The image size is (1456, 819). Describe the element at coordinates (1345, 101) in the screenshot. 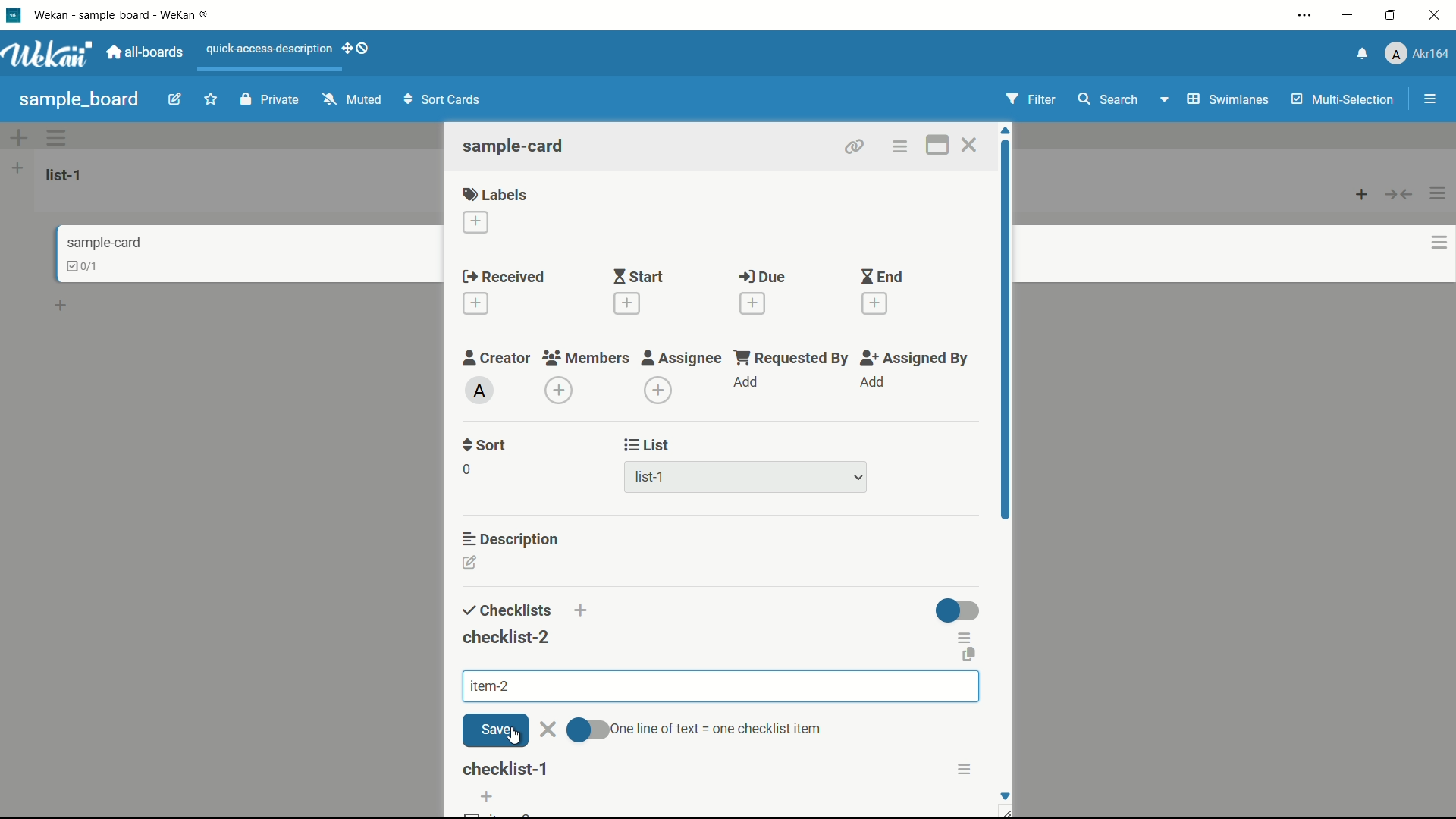

I see `multi selection` at that location.